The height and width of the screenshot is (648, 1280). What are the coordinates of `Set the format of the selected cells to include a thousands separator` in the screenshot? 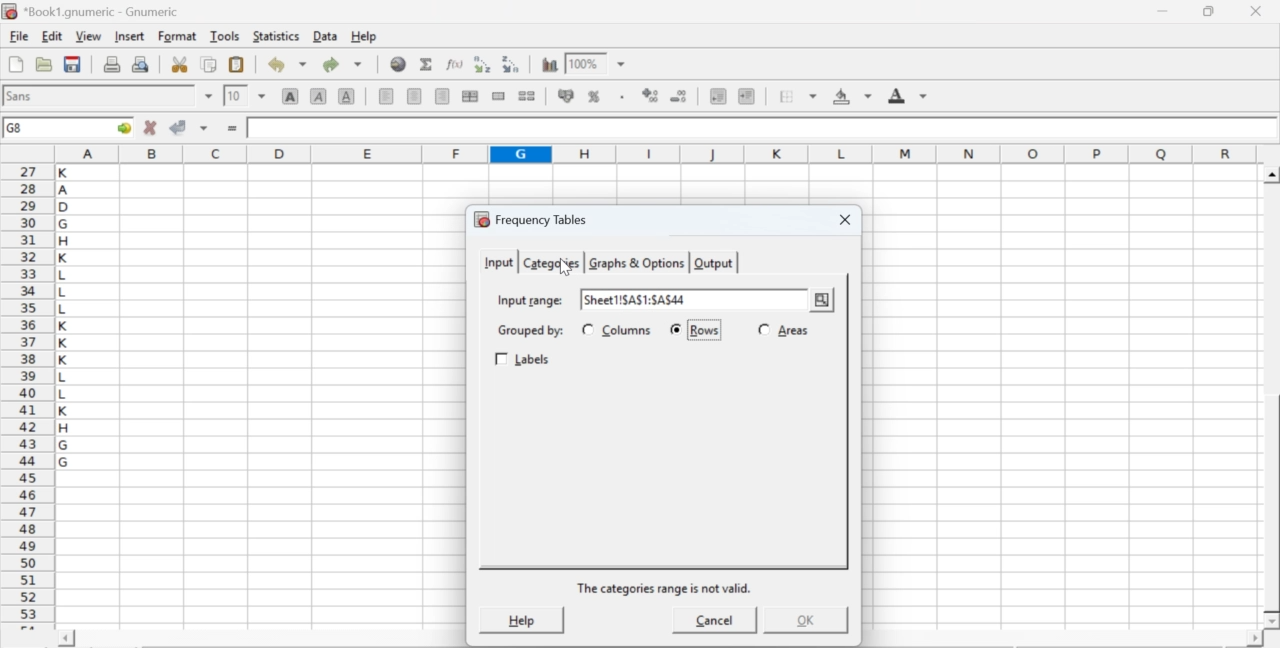 It's located at (620, 97).